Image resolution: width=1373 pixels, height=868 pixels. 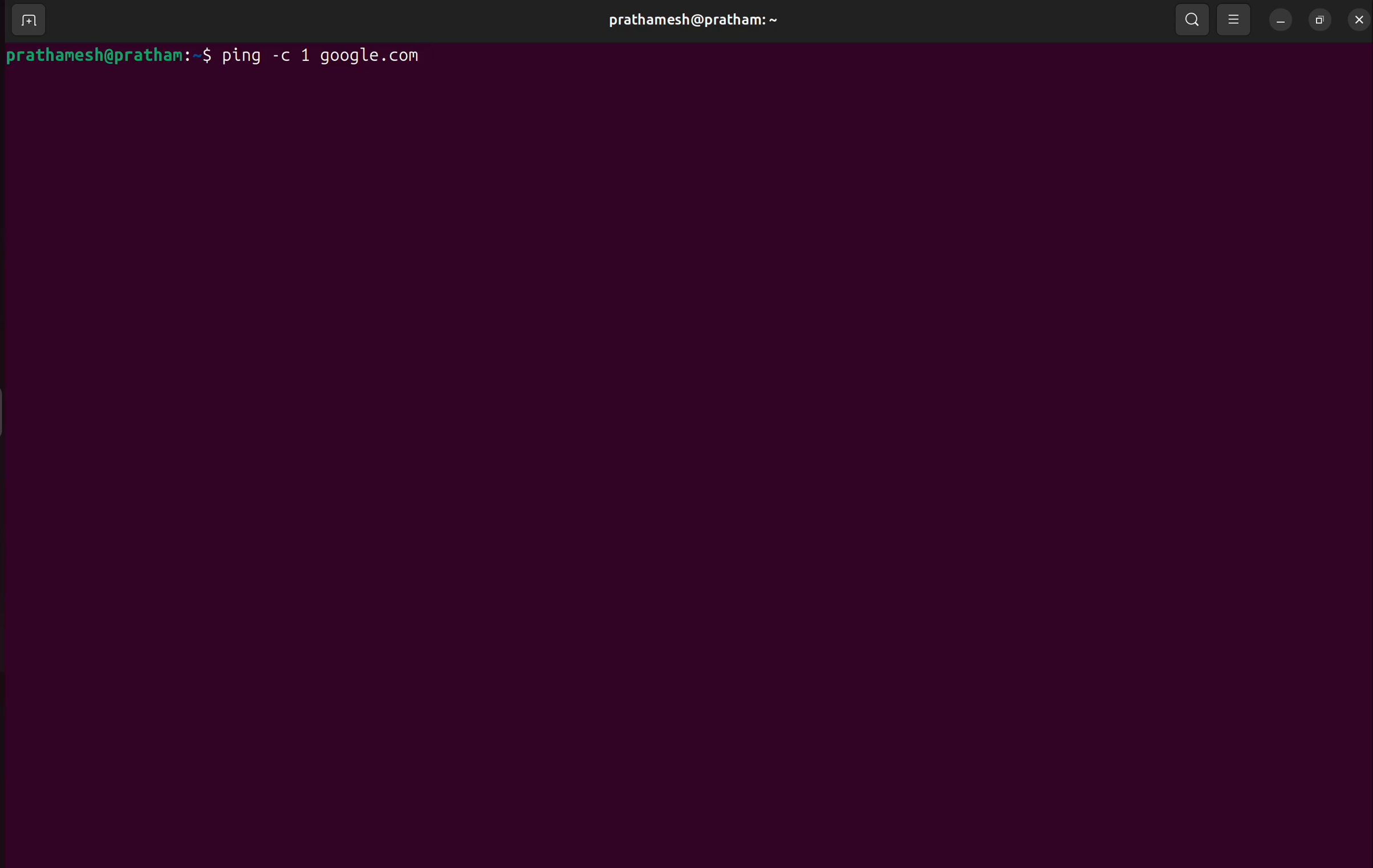 I want to click on prathmesh@pratham:~ $, so click(x=109, y=56).